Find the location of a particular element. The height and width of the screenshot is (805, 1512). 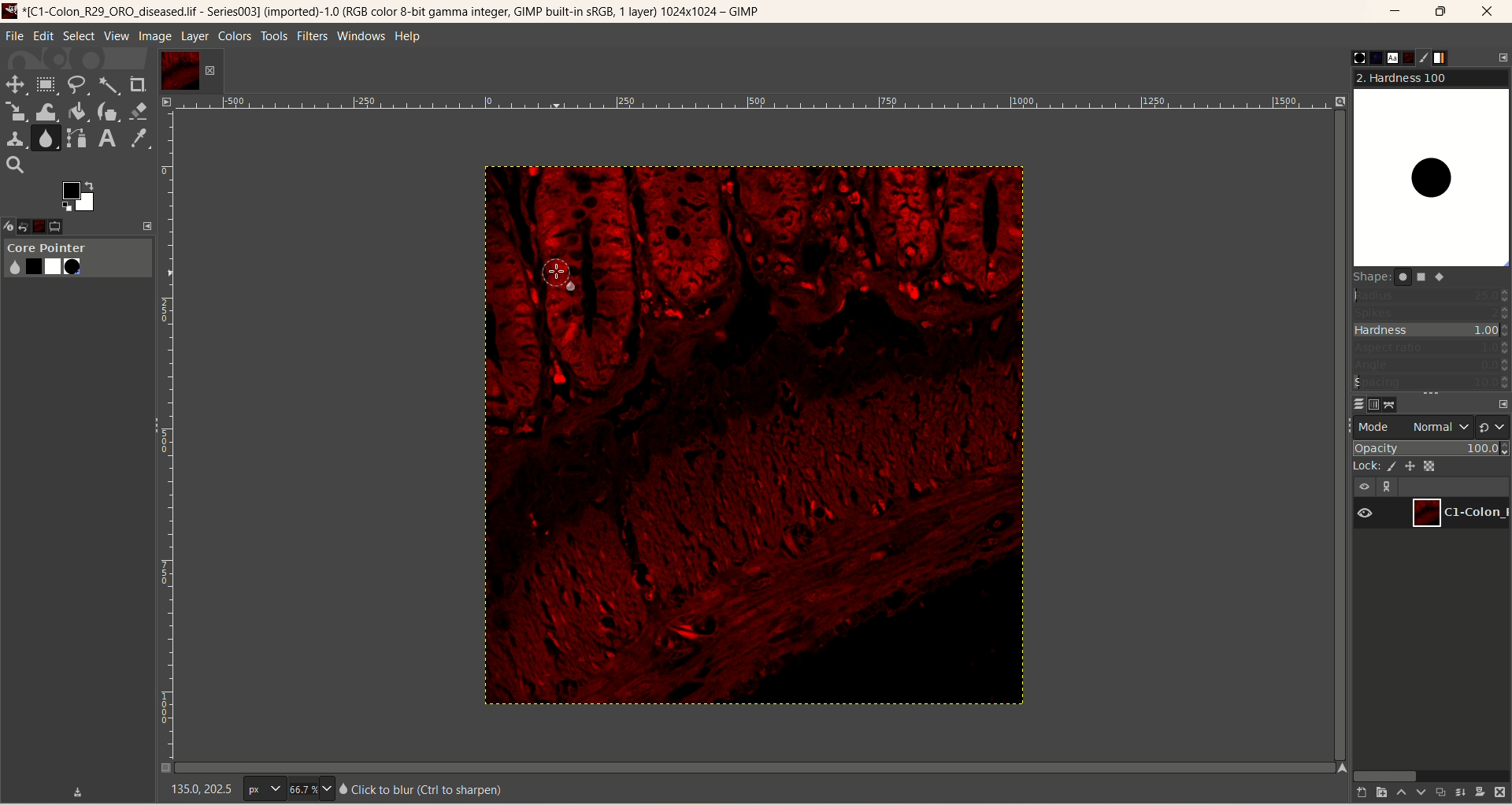

hardness100 is located at coordinates (1431, 169).